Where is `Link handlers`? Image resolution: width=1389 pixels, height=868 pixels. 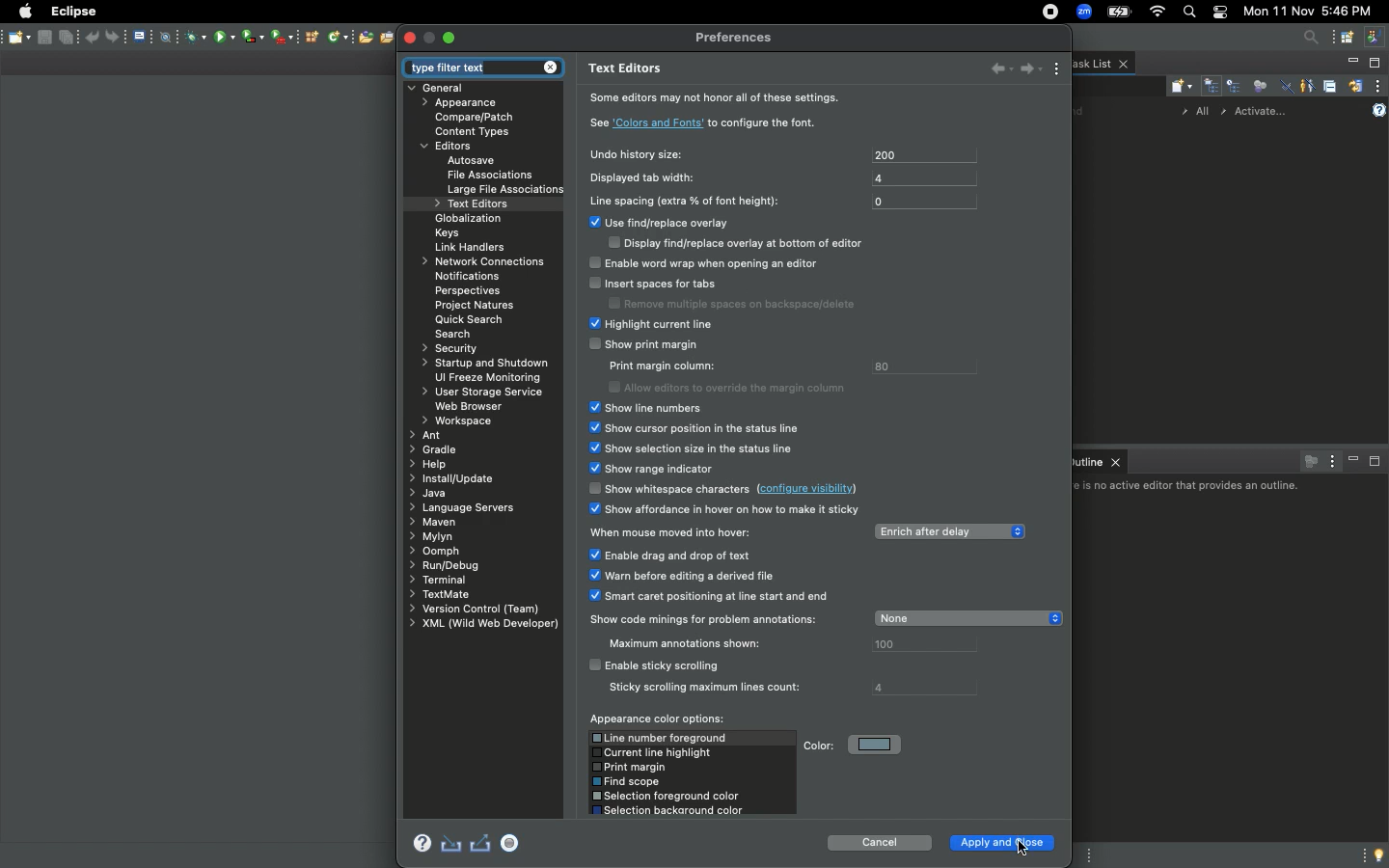 Link handlers is located at coordinates (475, 247).